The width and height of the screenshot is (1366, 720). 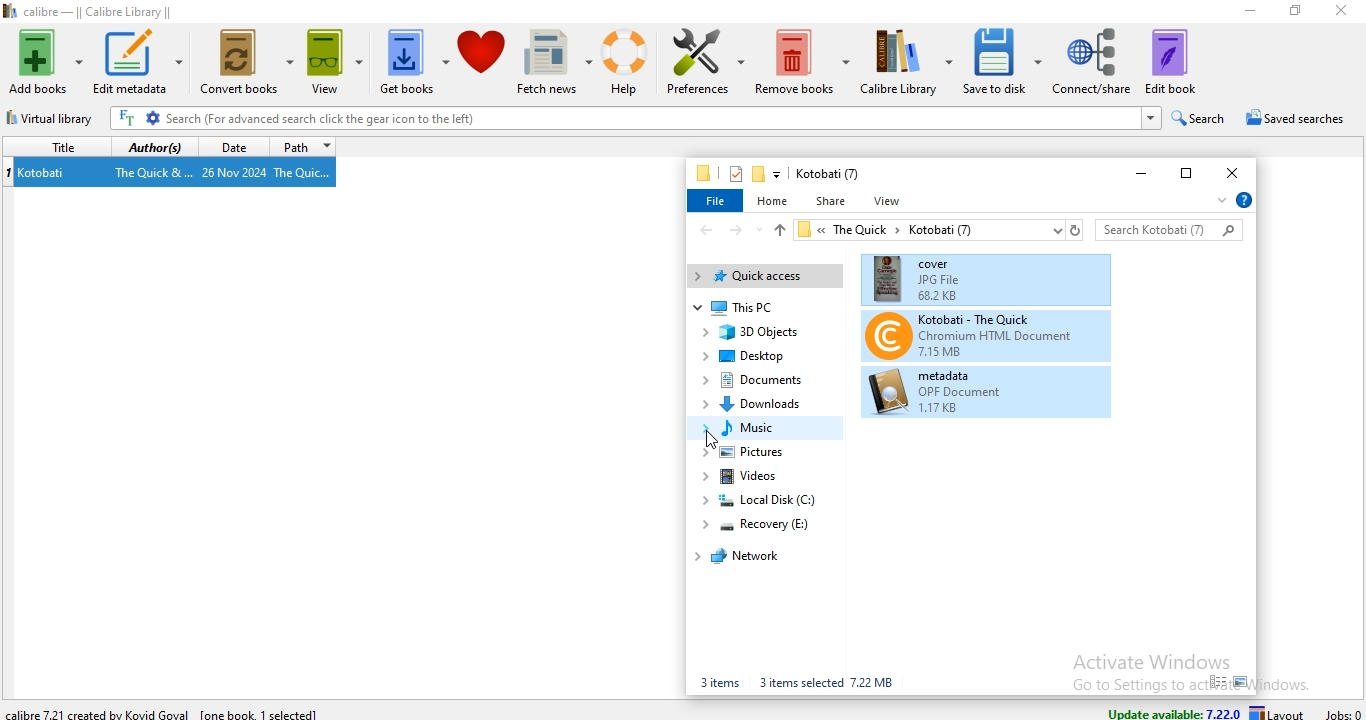 What do you see at coordinates (229, 146) in the screenshot?
I see `date` at bounding box center [229, 146].